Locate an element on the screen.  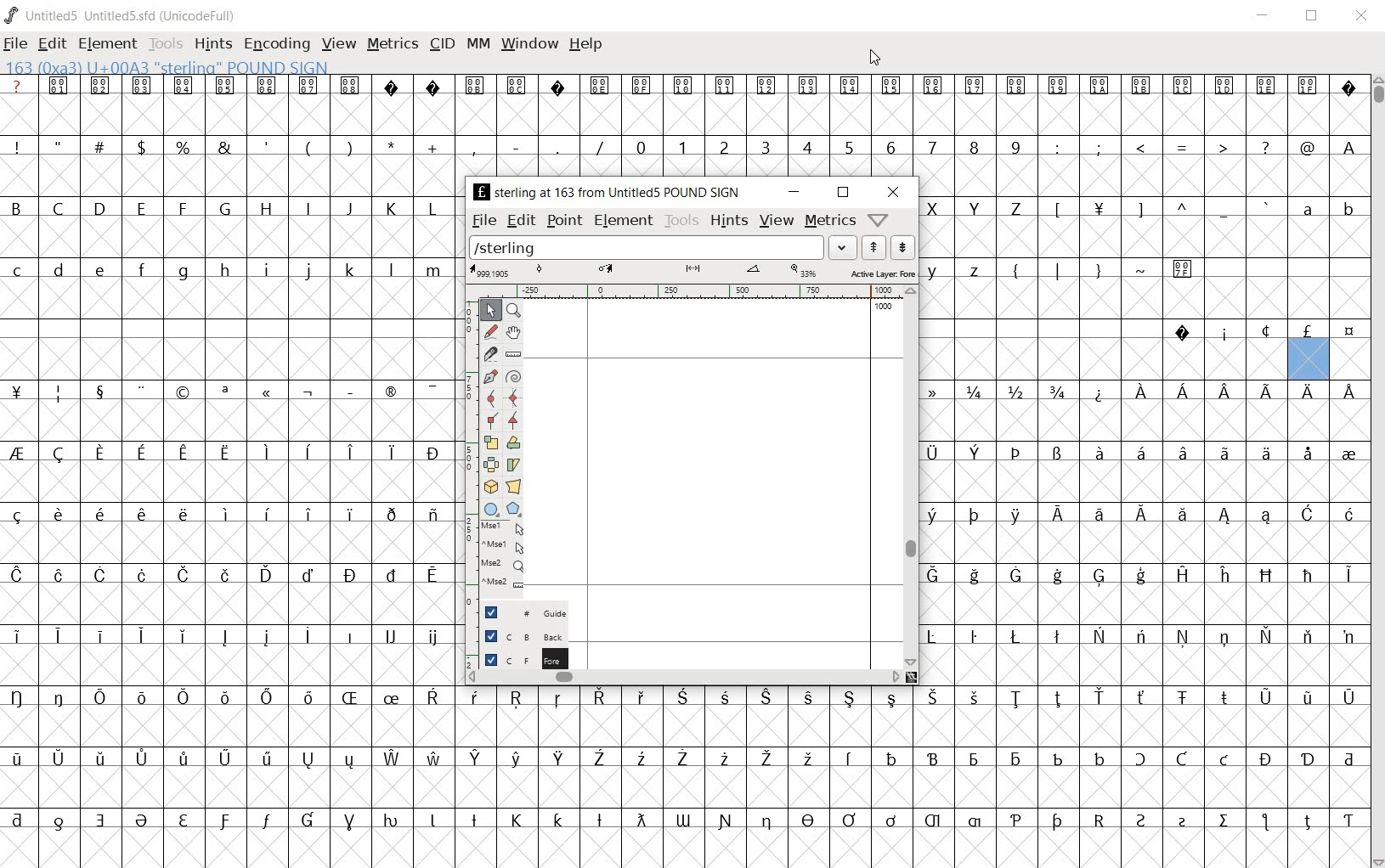
Flip is located at coordinates (491, 462).